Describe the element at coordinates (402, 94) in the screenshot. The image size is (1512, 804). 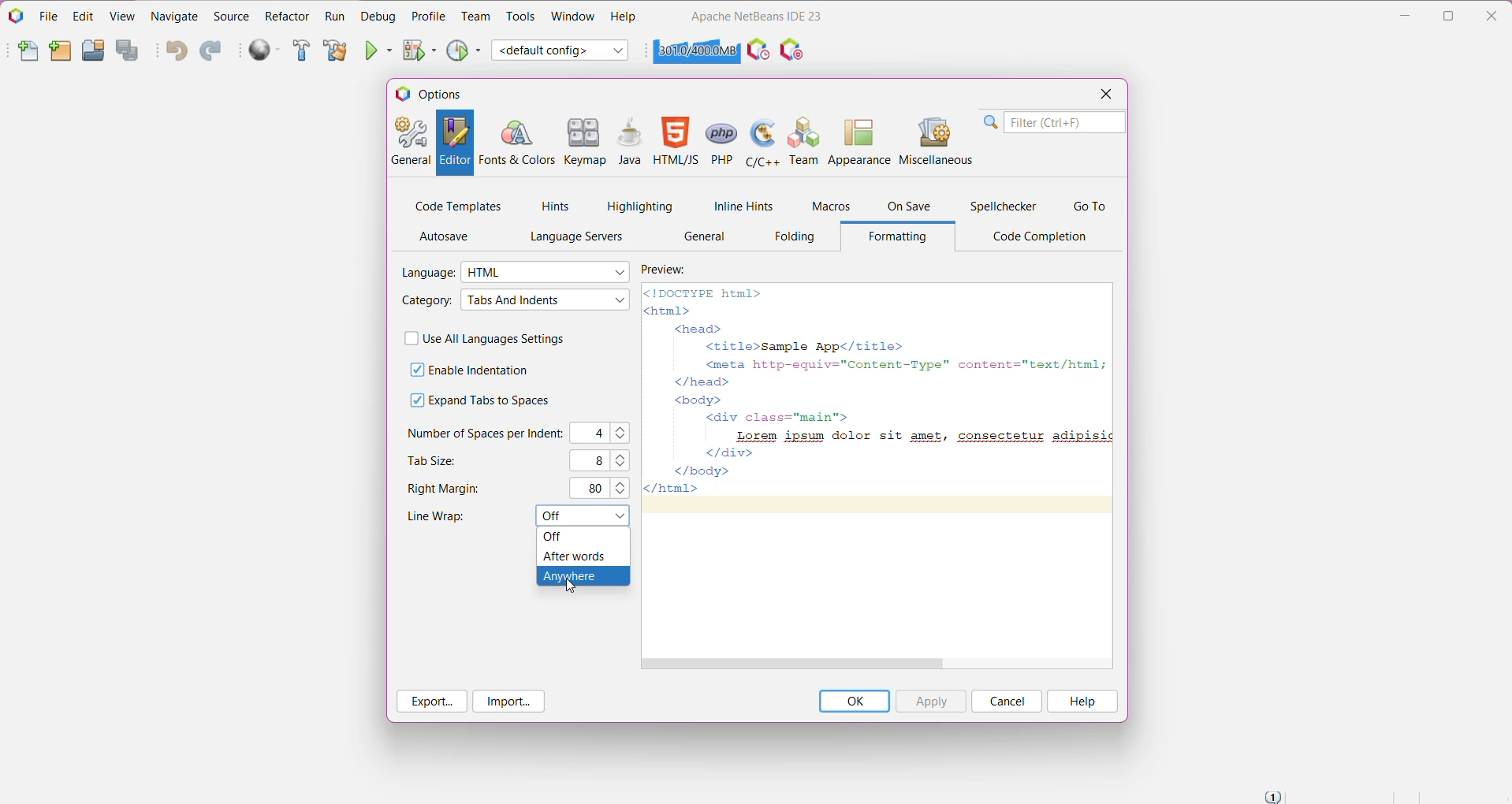
I see `logo` at that location.